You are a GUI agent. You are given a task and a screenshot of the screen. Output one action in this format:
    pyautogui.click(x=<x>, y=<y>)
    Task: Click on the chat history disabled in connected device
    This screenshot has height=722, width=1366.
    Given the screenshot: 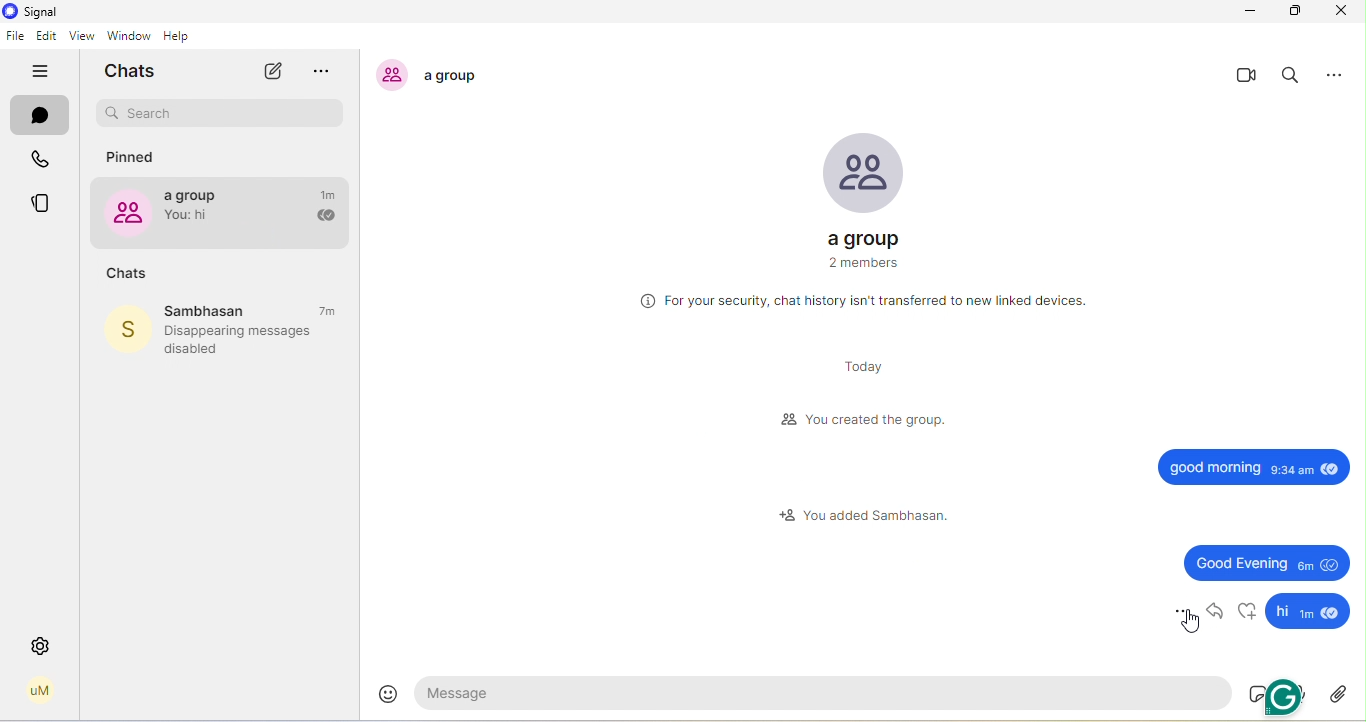 What is the action you would take?
    pyautogui.click(x=864, y=302)
    